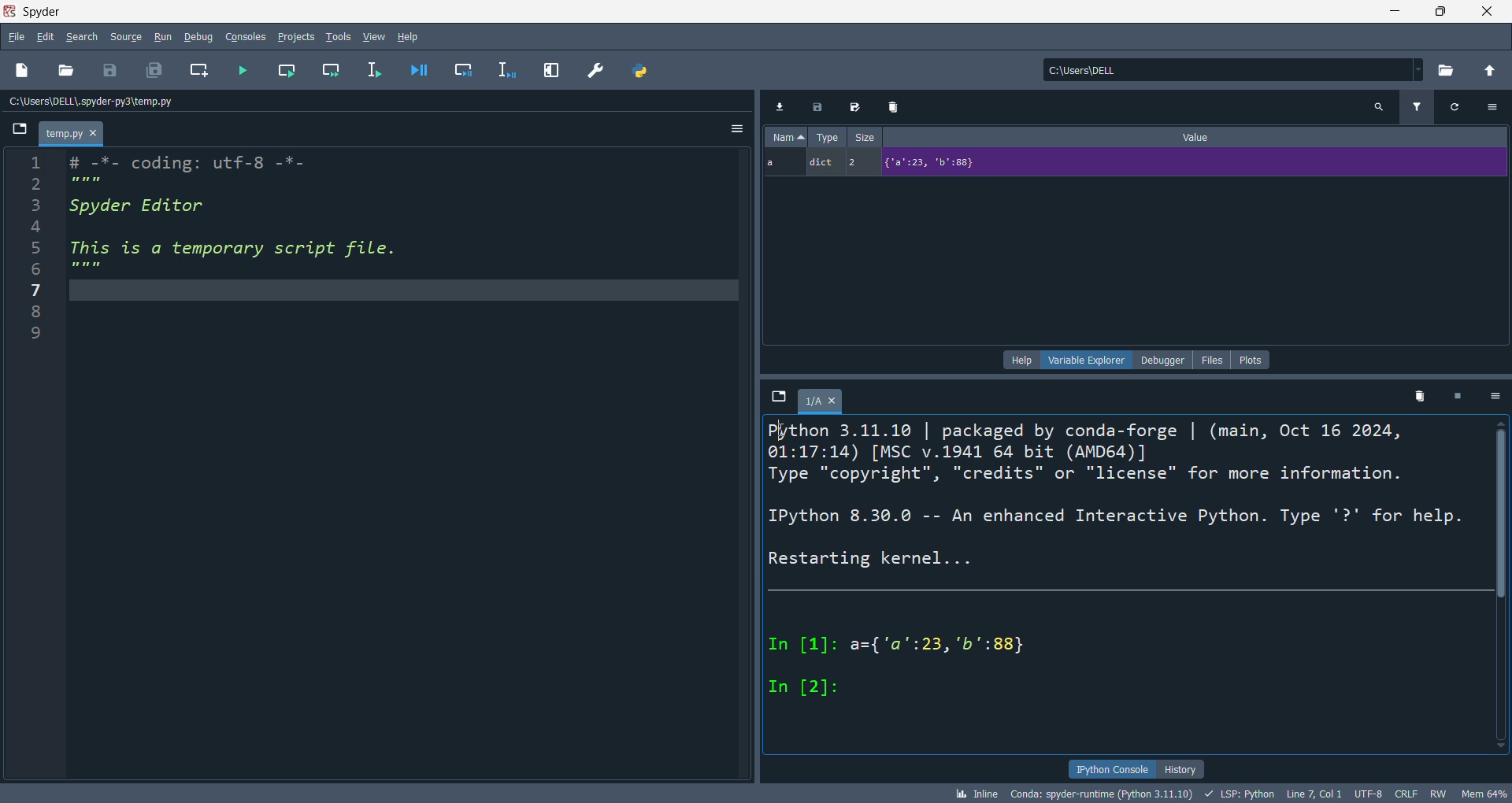 This screenshot has width=1512, height=803. Describe the element at coordinates (1131, 164) in the screenshot. I see `a, dict, 2, {'a':23, 'b': 88}` at that location.